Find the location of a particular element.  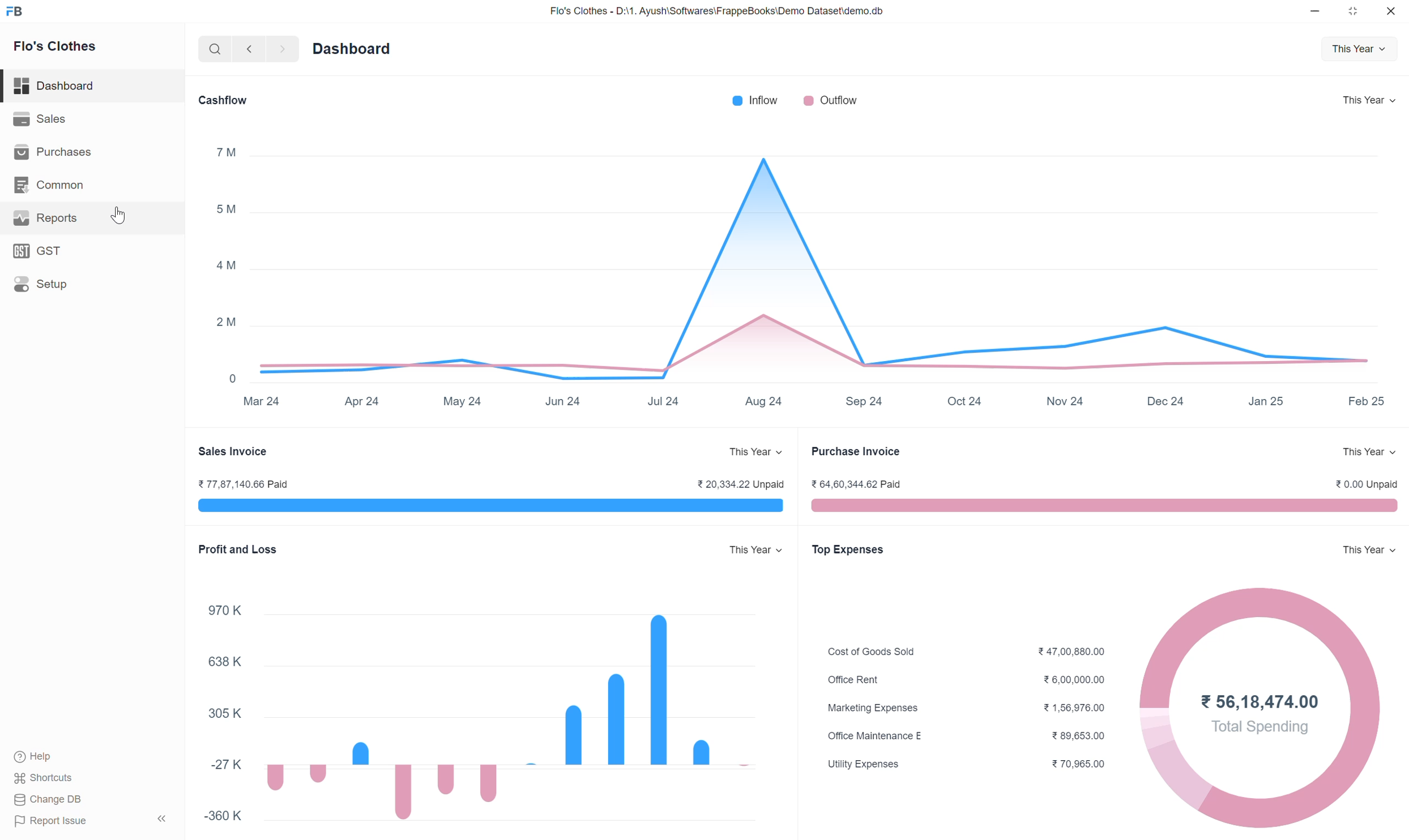

this year is located at coordinates (757, 552).